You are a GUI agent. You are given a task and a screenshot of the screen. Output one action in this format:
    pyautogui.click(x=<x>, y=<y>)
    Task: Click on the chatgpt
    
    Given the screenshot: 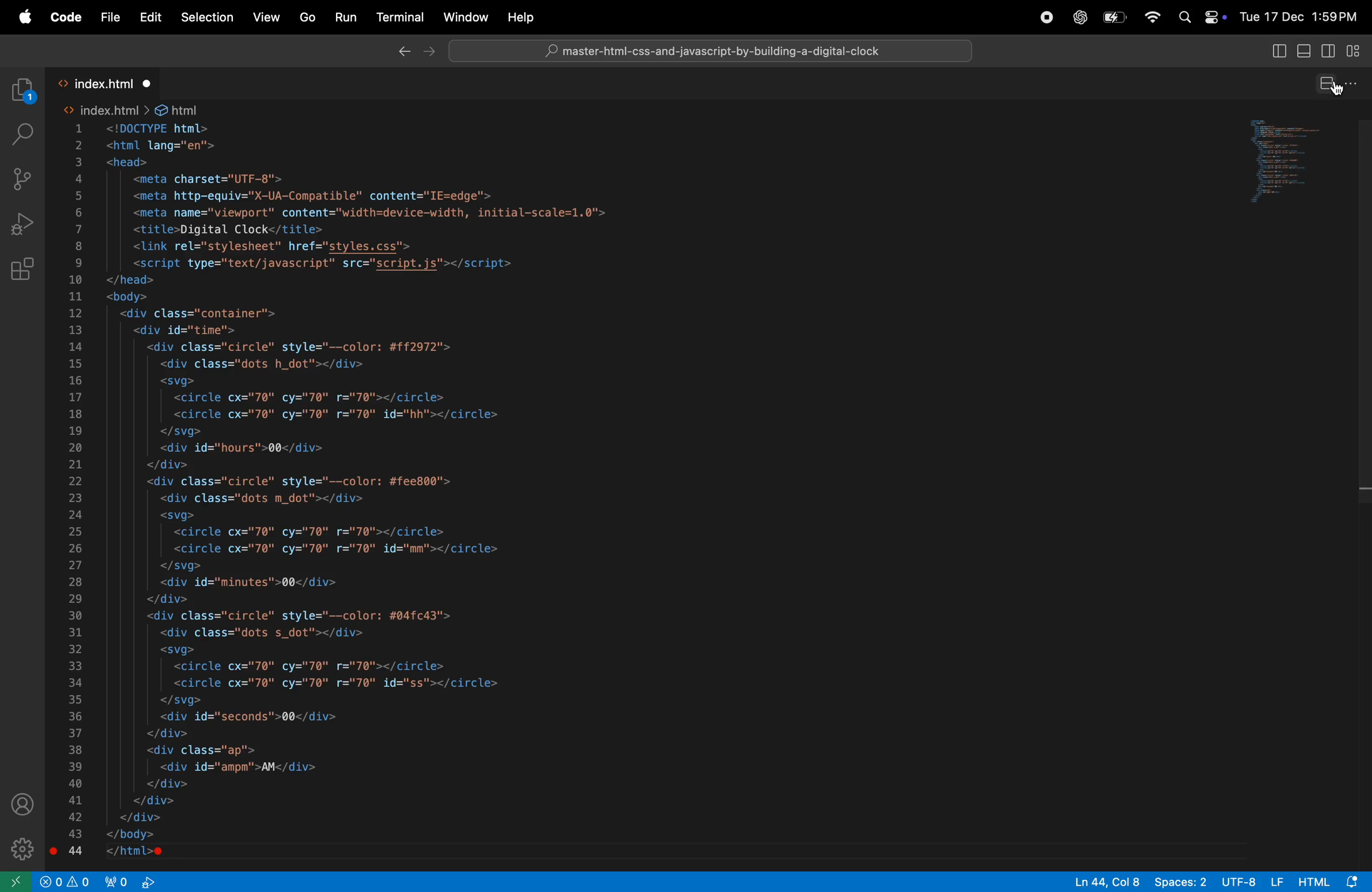 What is the action you would take?
    pyautogui.click(x=1080, y=17)
    